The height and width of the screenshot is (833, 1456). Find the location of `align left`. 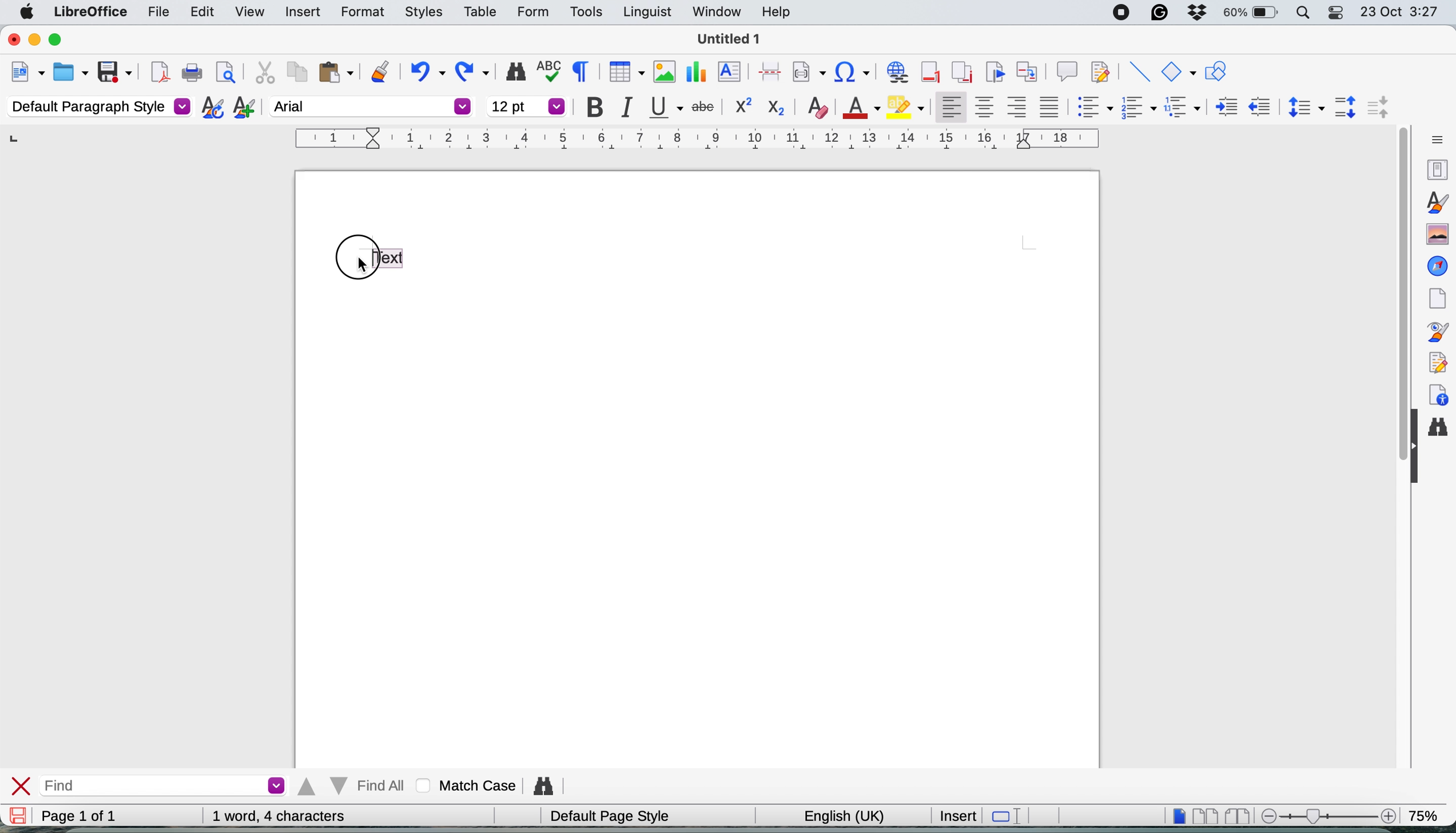

align left is located at coordinates (948, 108).